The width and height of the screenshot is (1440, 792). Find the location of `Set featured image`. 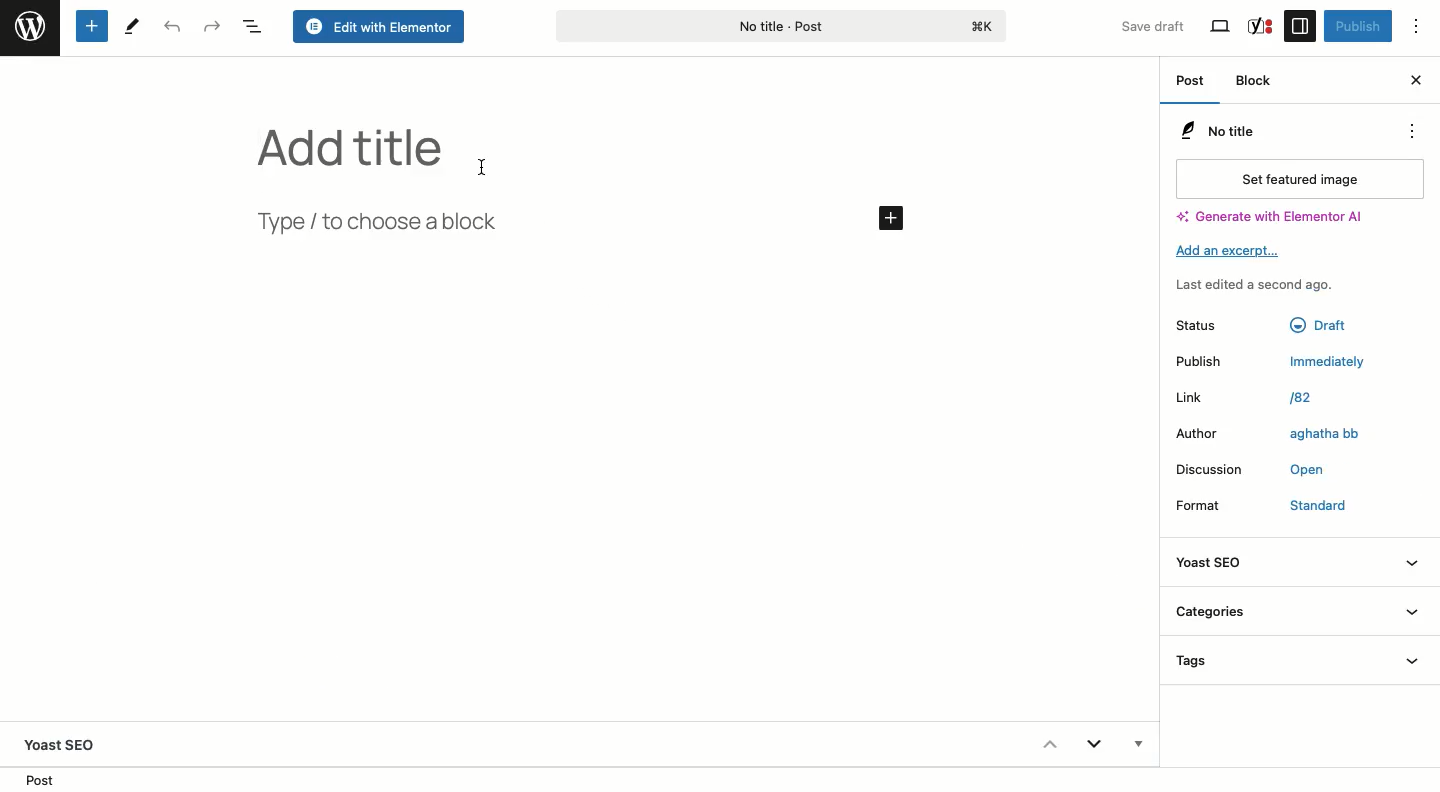

Set featured image is located at coordinates (1297, 178).